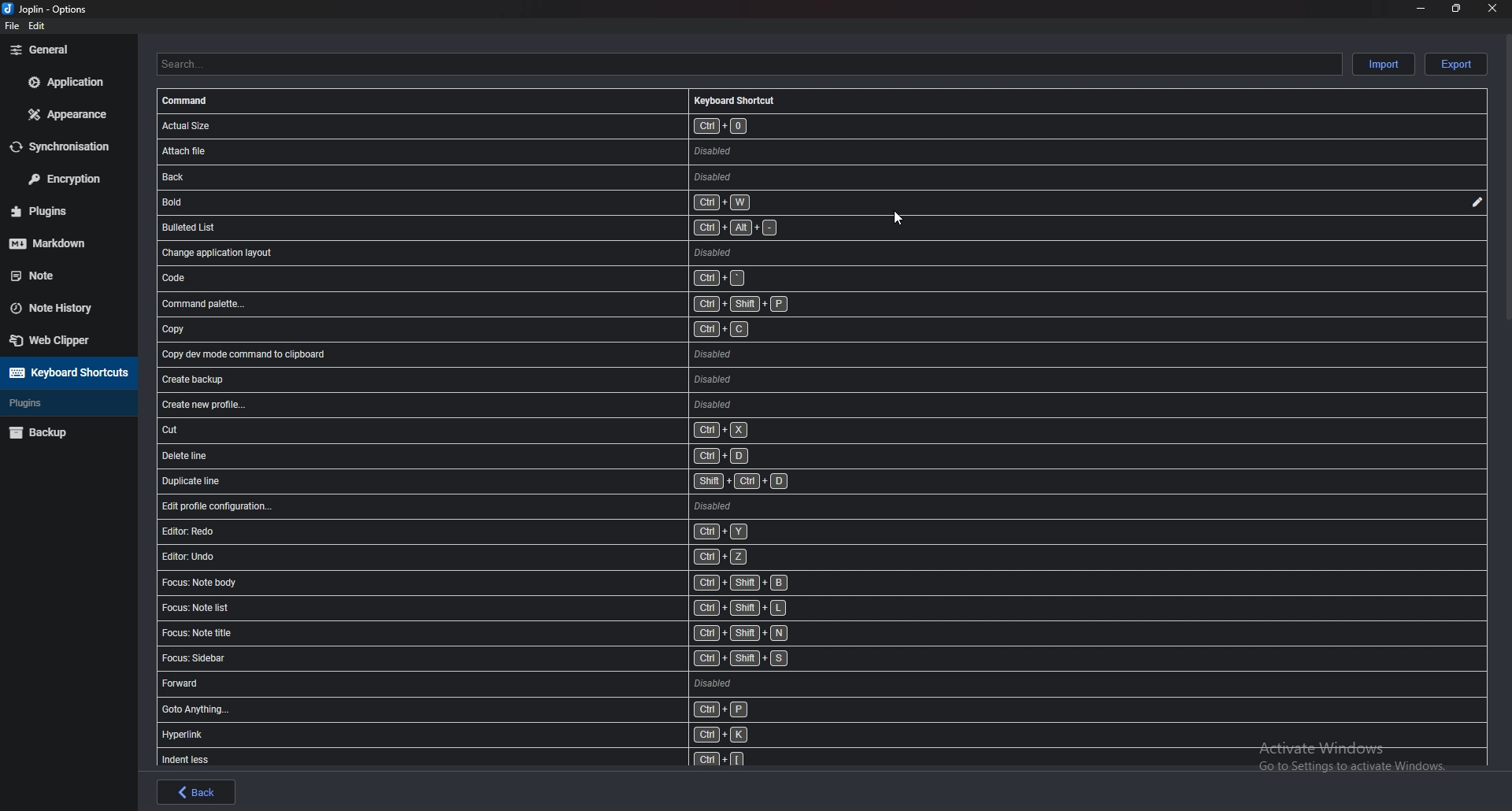 The height and width of the screenshot is (811, 1512). What do you see at coordinates (516, 659) in the screenshot?
I see `shortcut` at bounding box center [516, 659].